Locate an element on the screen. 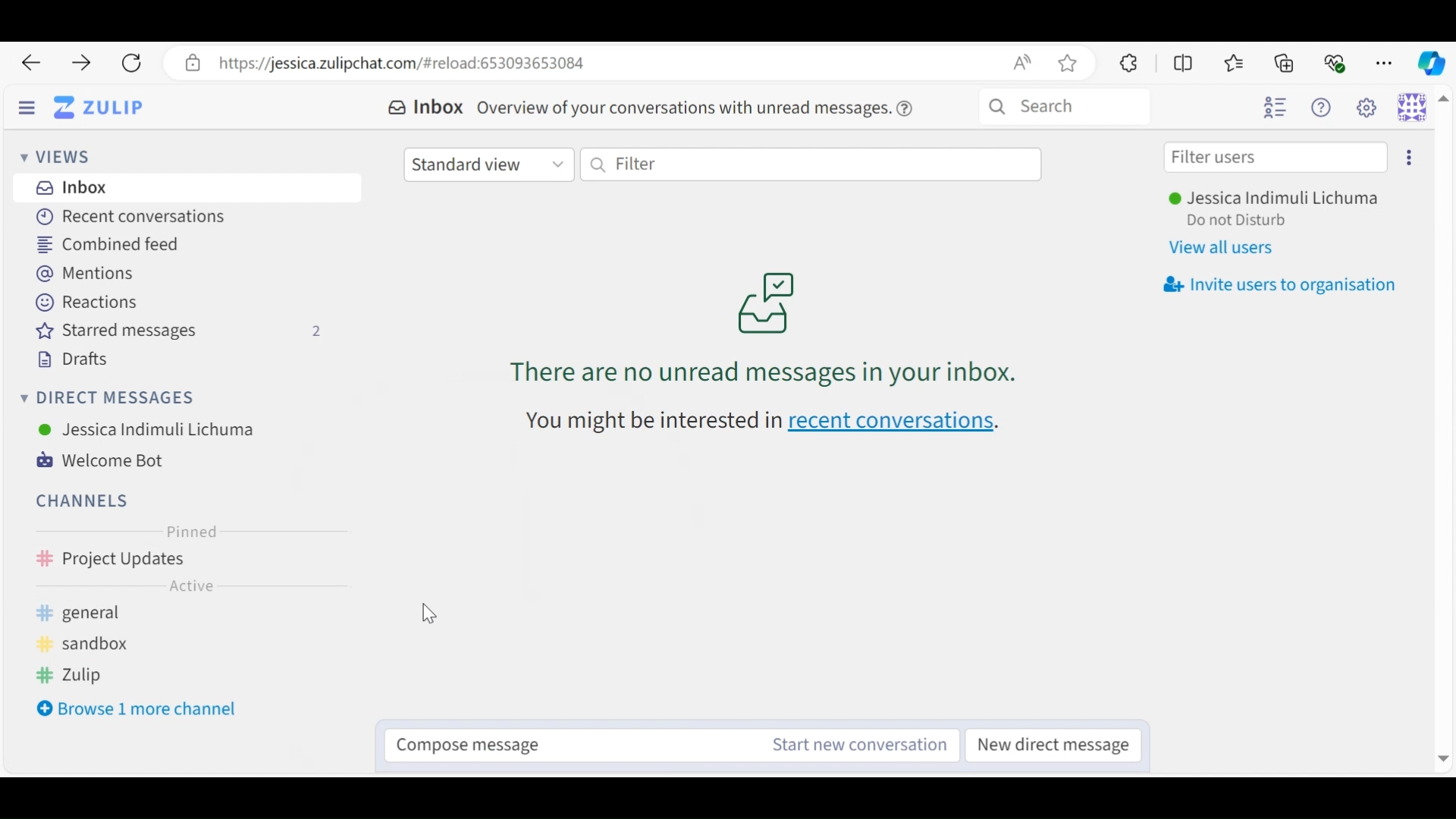  Start new conversations is located at coordinates (854, 745).